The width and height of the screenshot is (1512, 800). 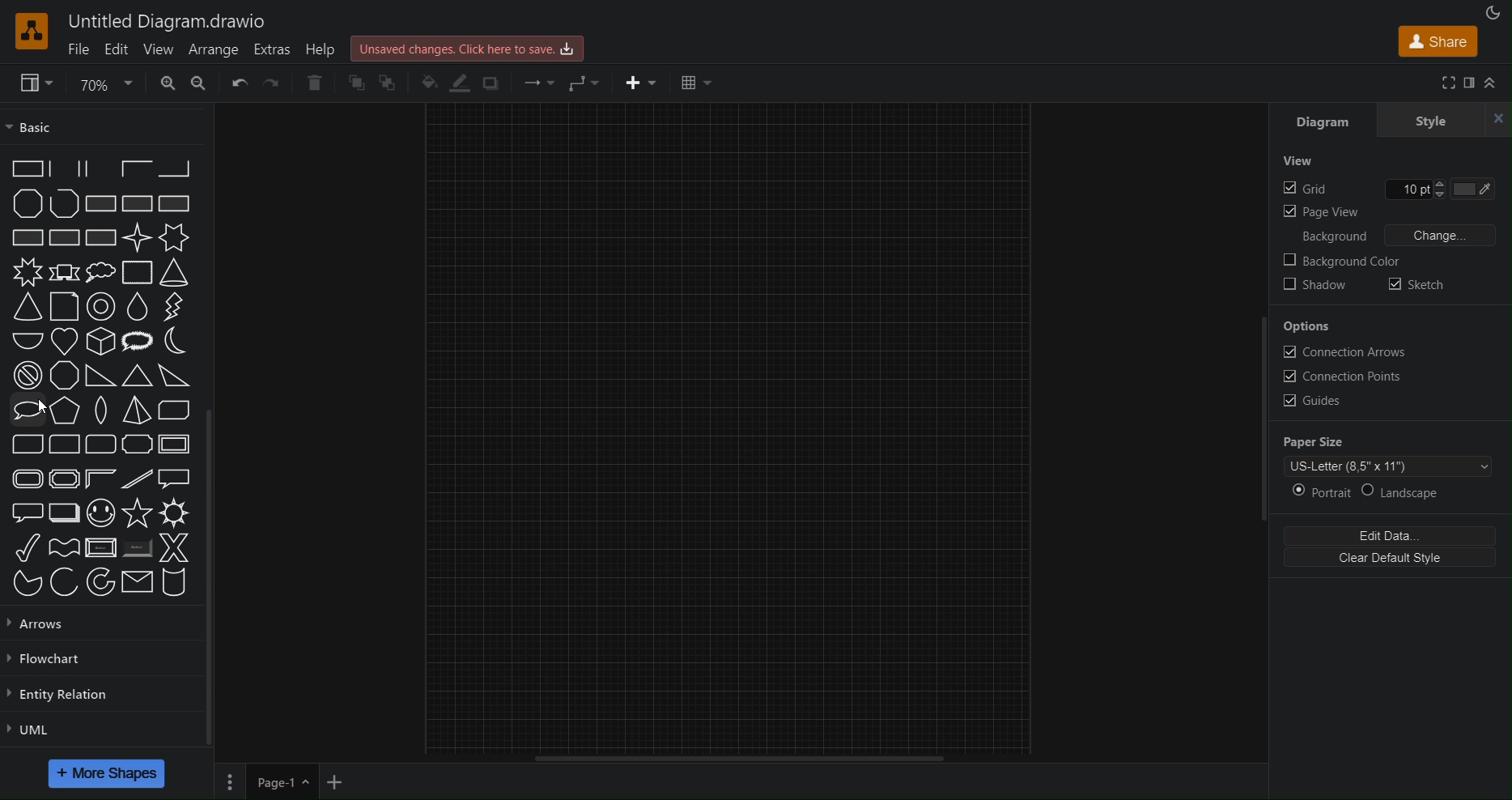 What do you see at coordinates (1389, 468) in the screenshot?
I see `Paper Template` at bounding box center [1389, 468].